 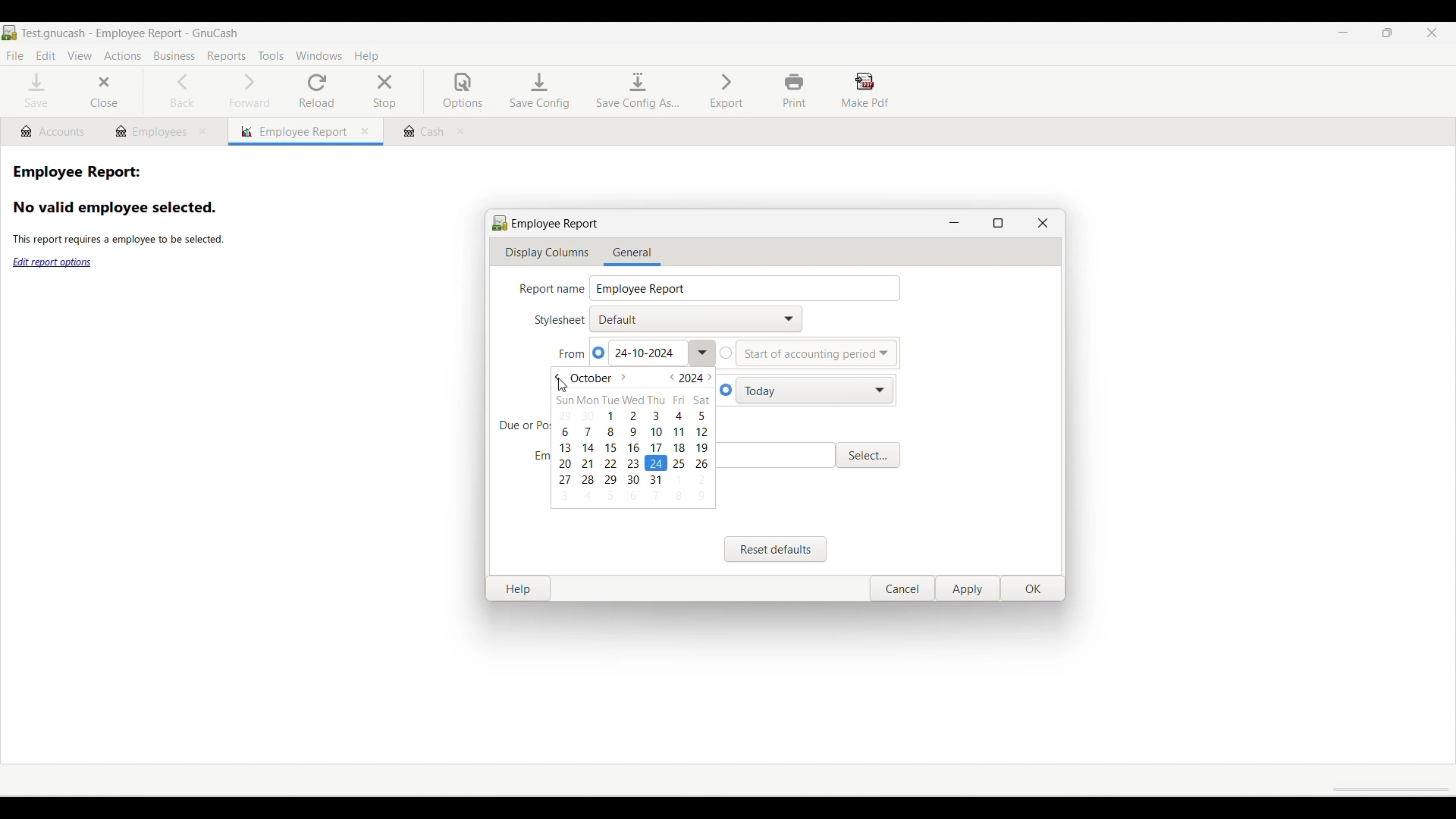 What do you see at coordinates (562, 377) in the screenshot?
I see `Go to previous month` at bounding box center [562, 377].